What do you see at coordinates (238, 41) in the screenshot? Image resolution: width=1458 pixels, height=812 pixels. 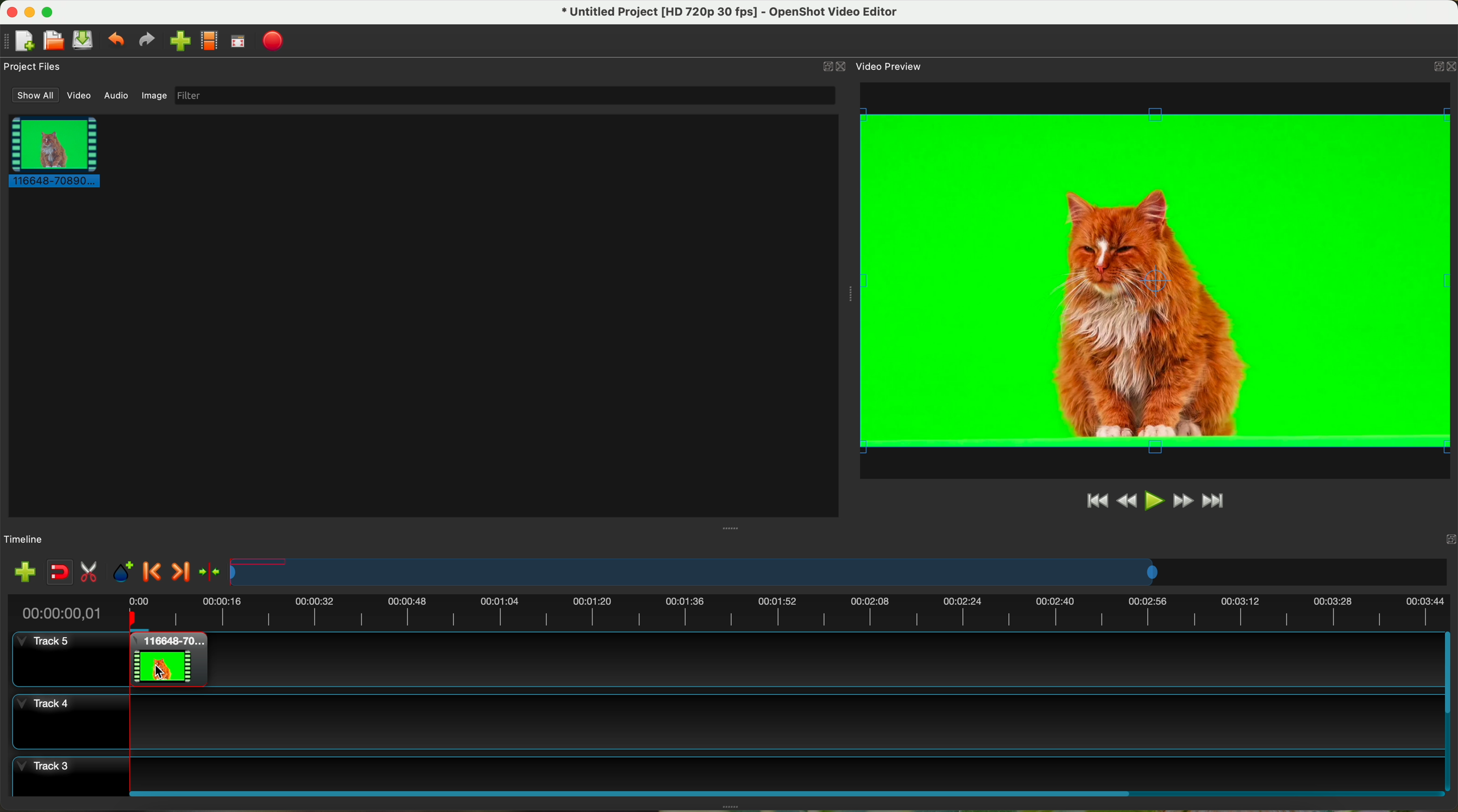 I see `full screen` at bounding box center [238, 41].